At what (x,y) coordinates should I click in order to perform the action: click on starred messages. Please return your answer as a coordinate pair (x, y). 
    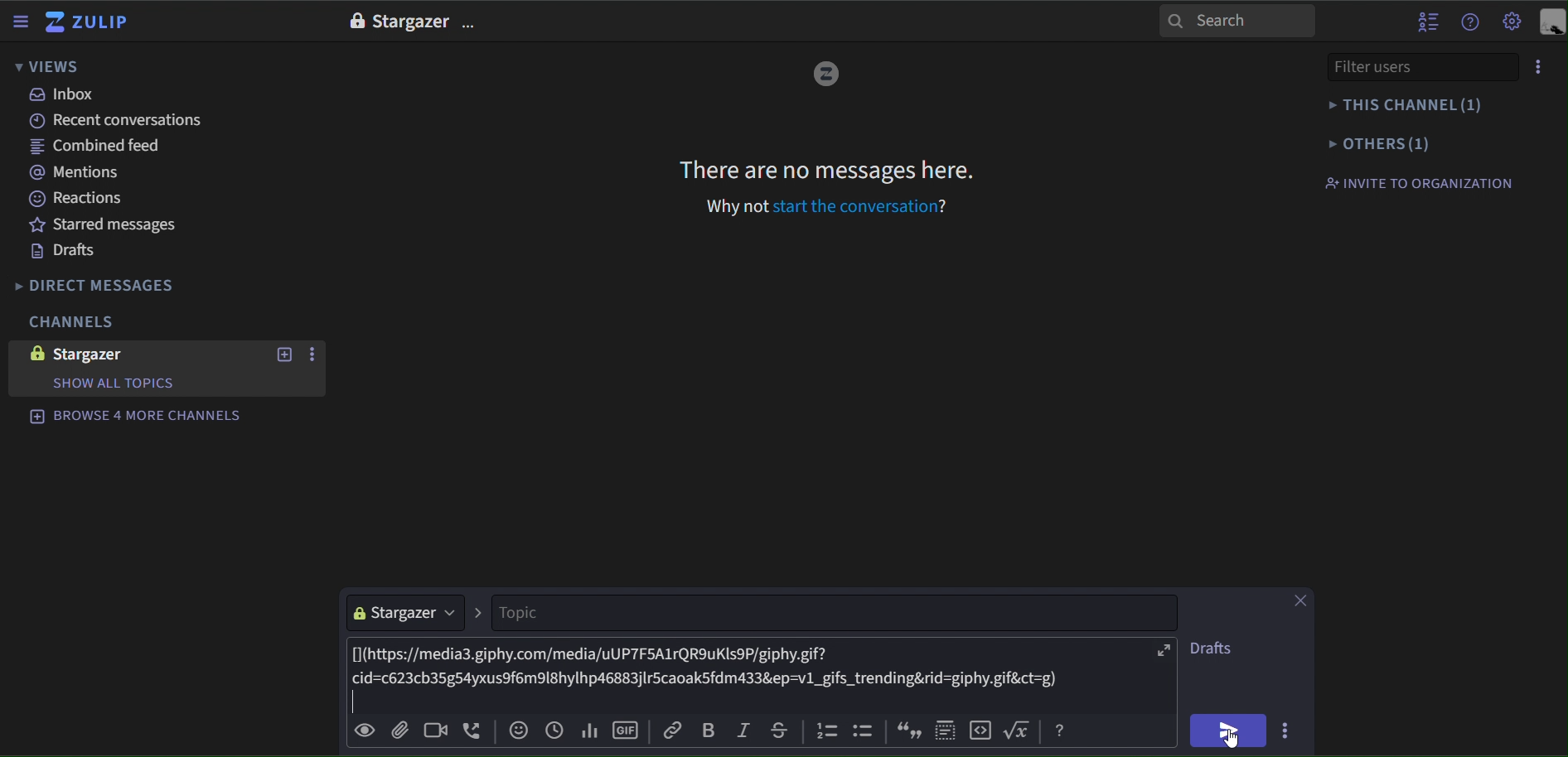
    Looking at the image, I should click on (105, 224).